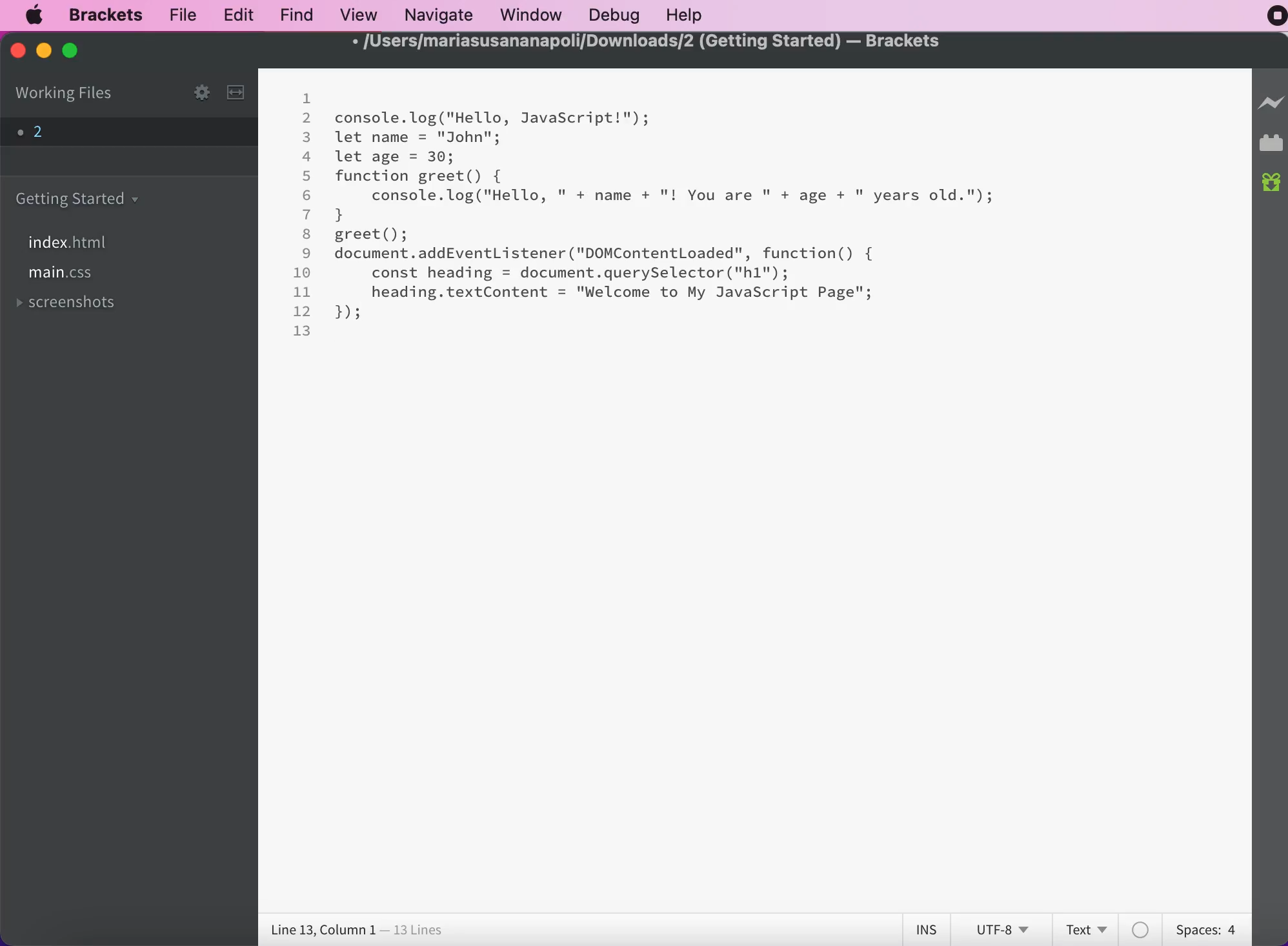 The width and height of the screenshot is (1288, 946). Describe the element at coordinates (307, 214) in the screenshot. I see `7` at that location.